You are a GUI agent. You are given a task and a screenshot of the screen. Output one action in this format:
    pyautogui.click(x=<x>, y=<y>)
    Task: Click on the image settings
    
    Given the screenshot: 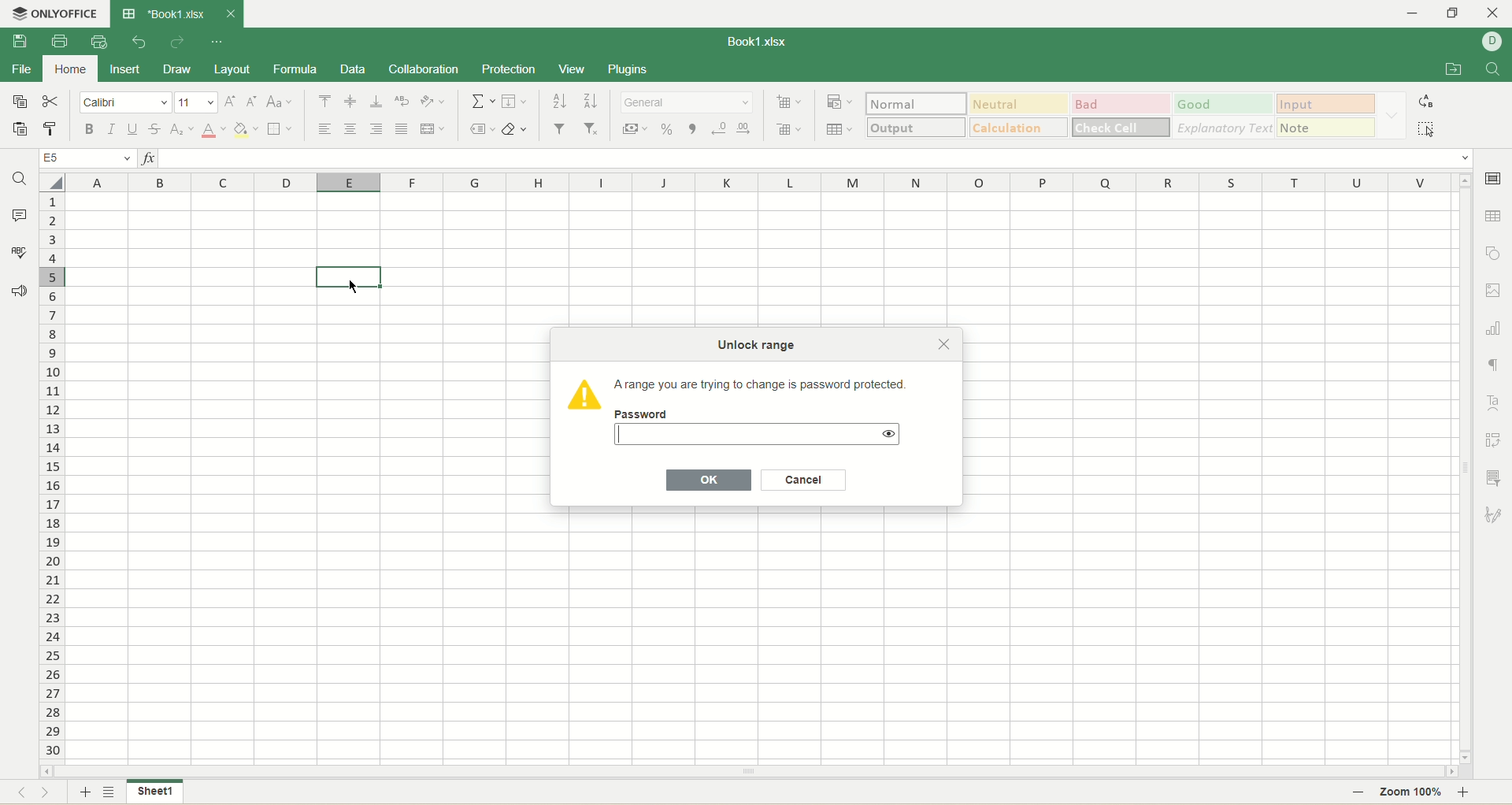 What is the action you would take?
    pyautogui.click(x=1497, y=290)
    